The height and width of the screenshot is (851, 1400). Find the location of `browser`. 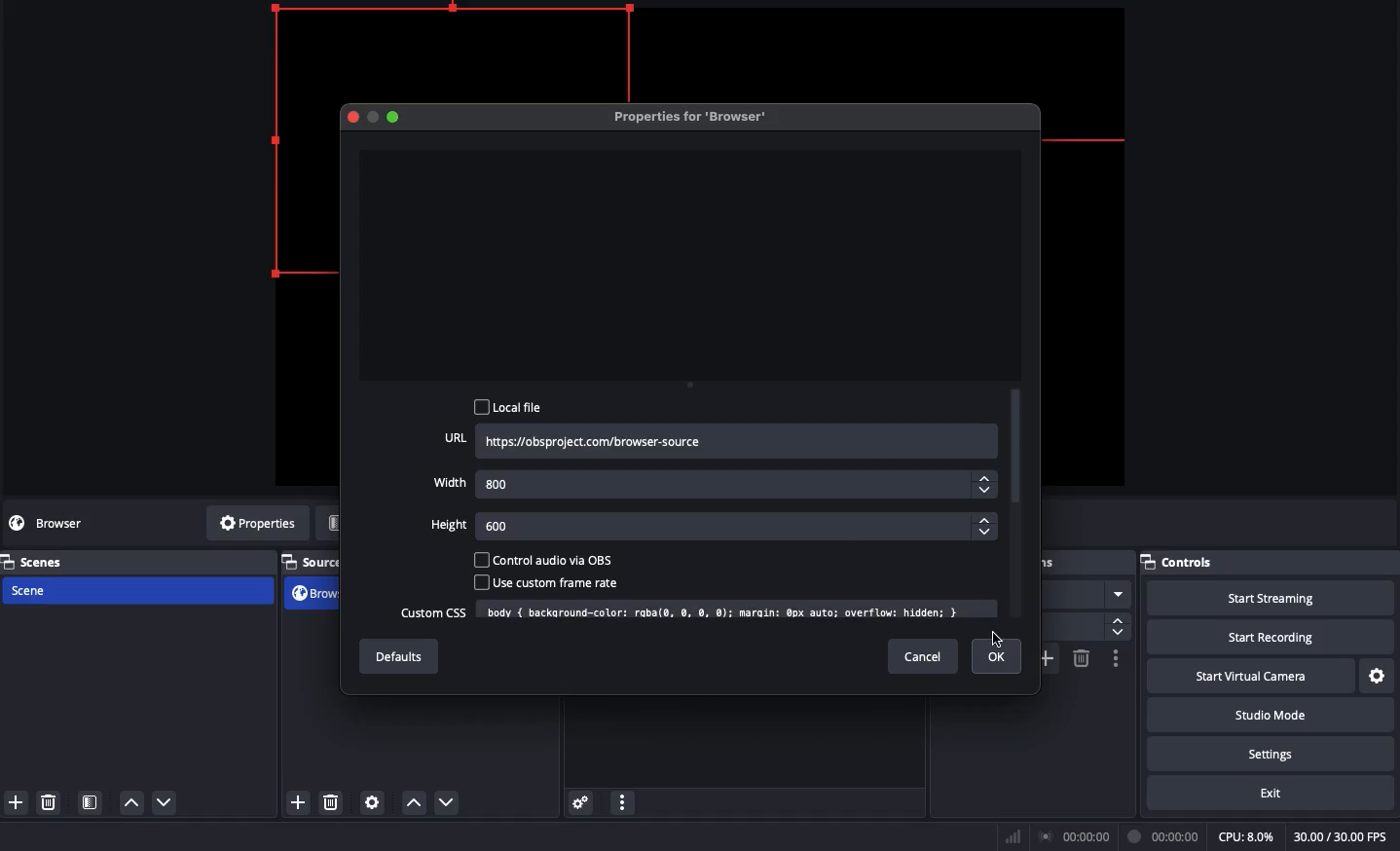

browser is located at coordinates (62, 524).